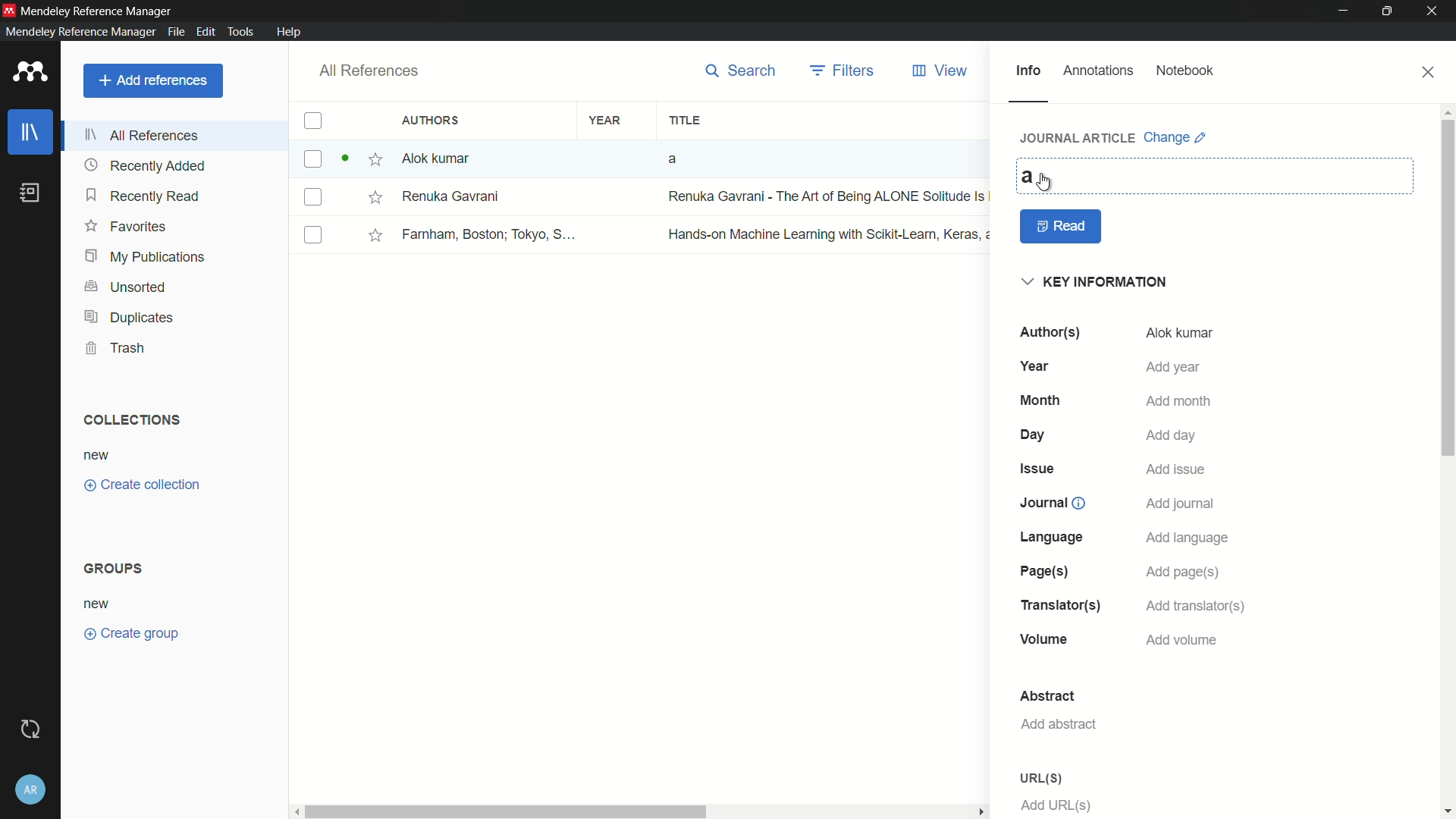  What do you see at coordinates (1193, 607) in the screenshot?
I see `add translator` at bounding box center [1193, 607].